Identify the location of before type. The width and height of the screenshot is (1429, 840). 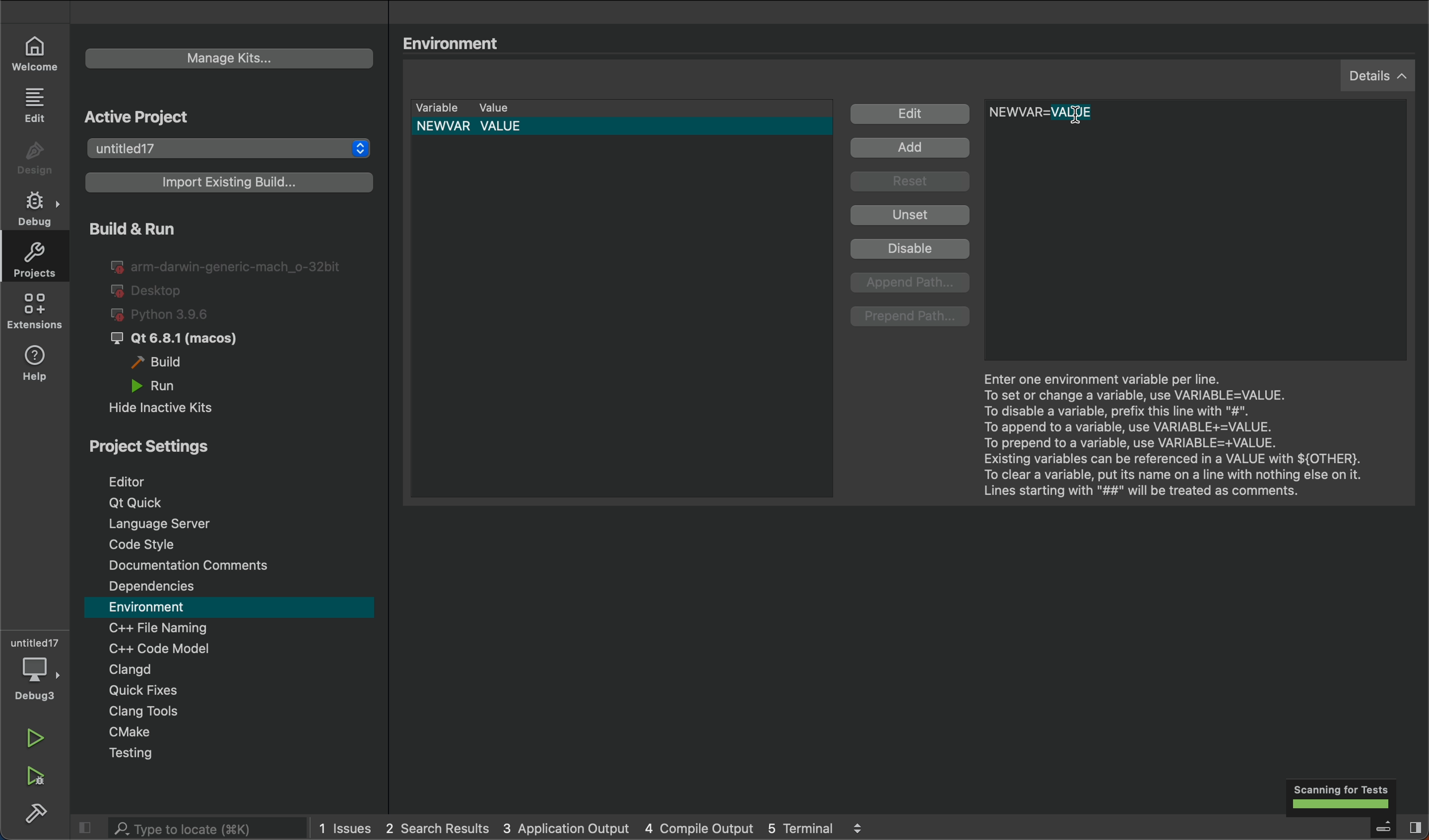
(1083, 115).